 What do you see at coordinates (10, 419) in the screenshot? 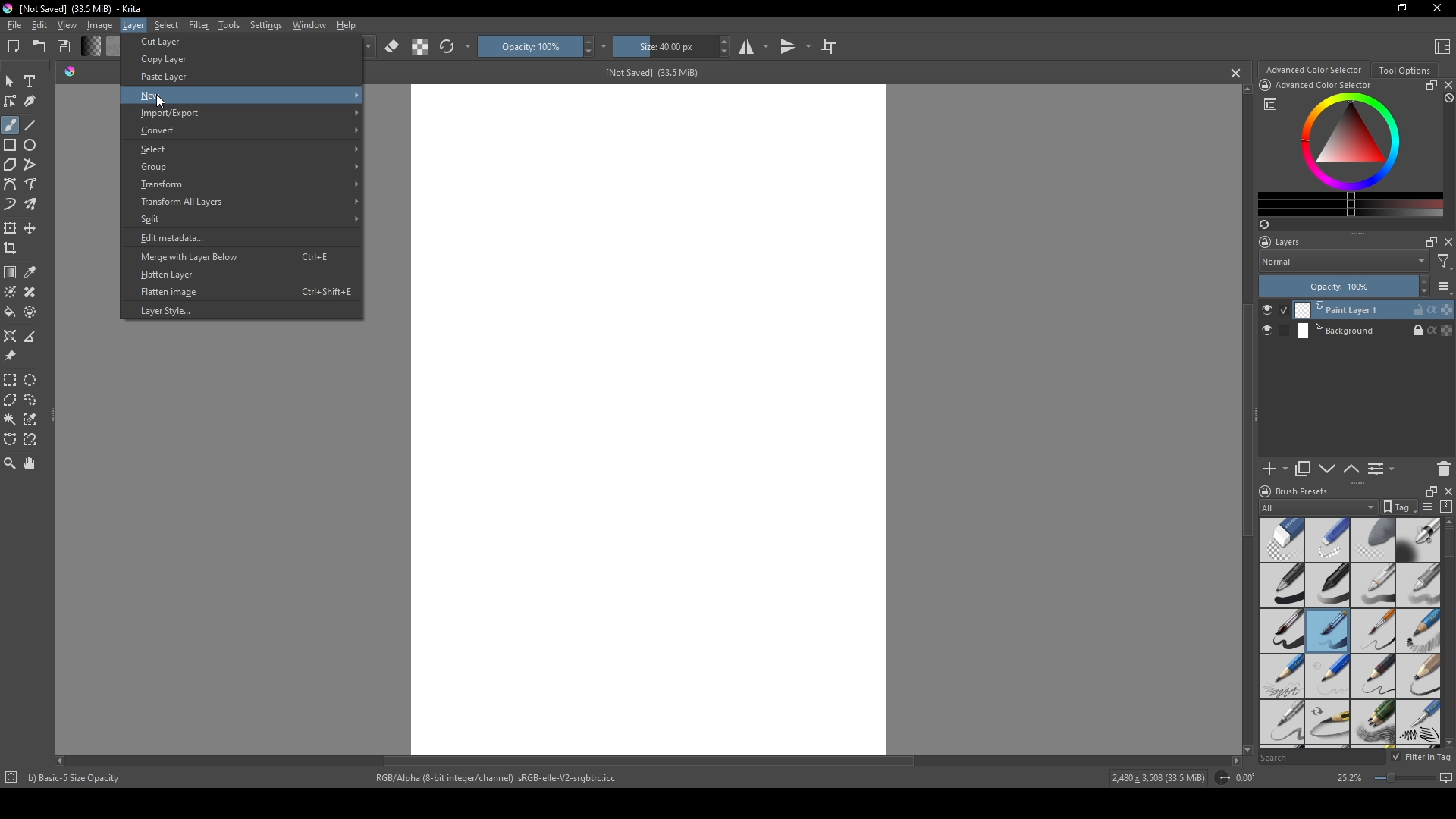
I see `magic wand` at bounding box center [10, 419].